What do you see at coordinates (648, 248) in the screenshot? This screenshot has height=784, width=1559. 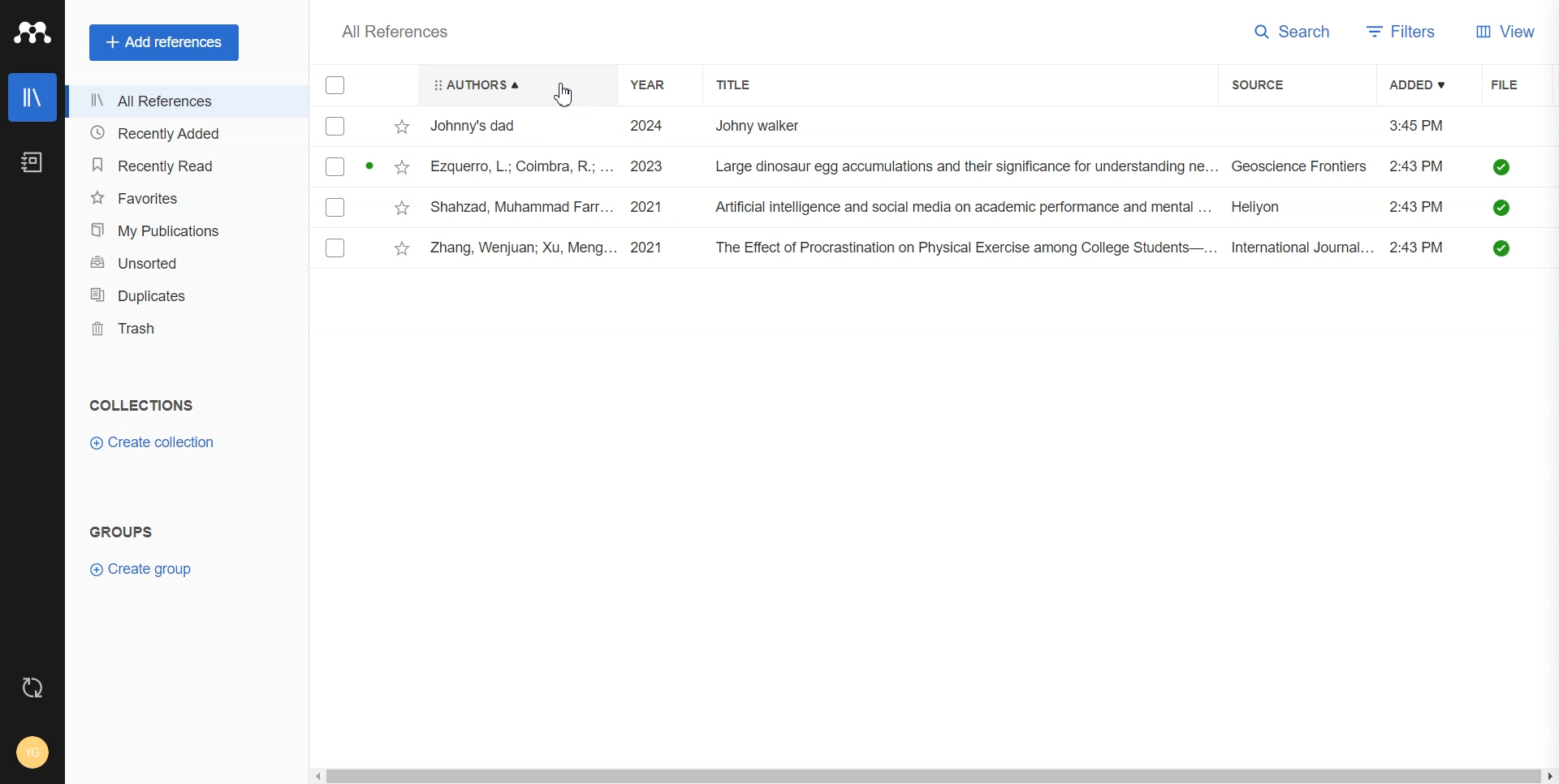 I see `2021` at bounding box center [648, 248].